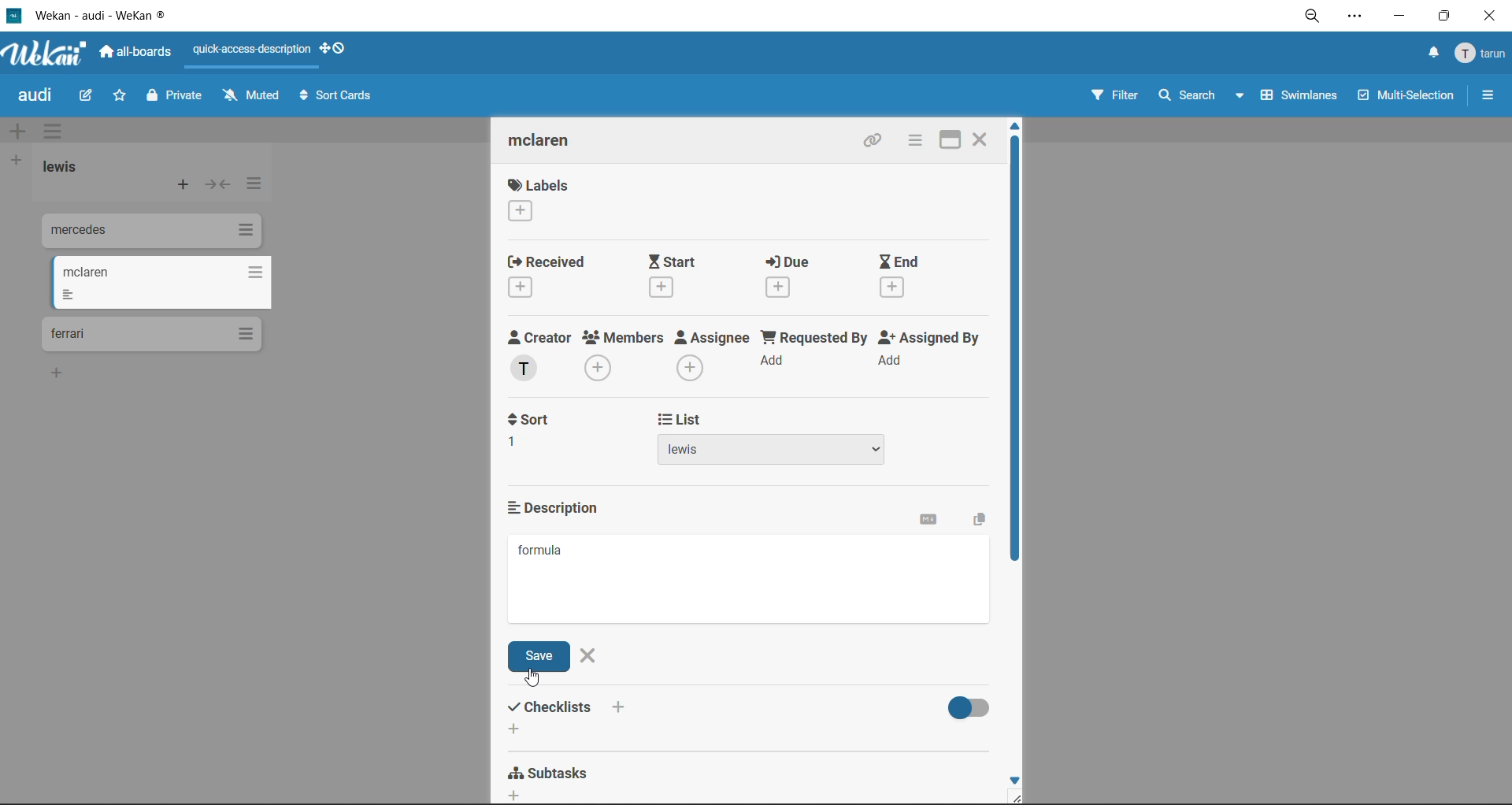 The height and width of the screenshot is (805, 1512). I want to click on maximize, so click(954, 138).